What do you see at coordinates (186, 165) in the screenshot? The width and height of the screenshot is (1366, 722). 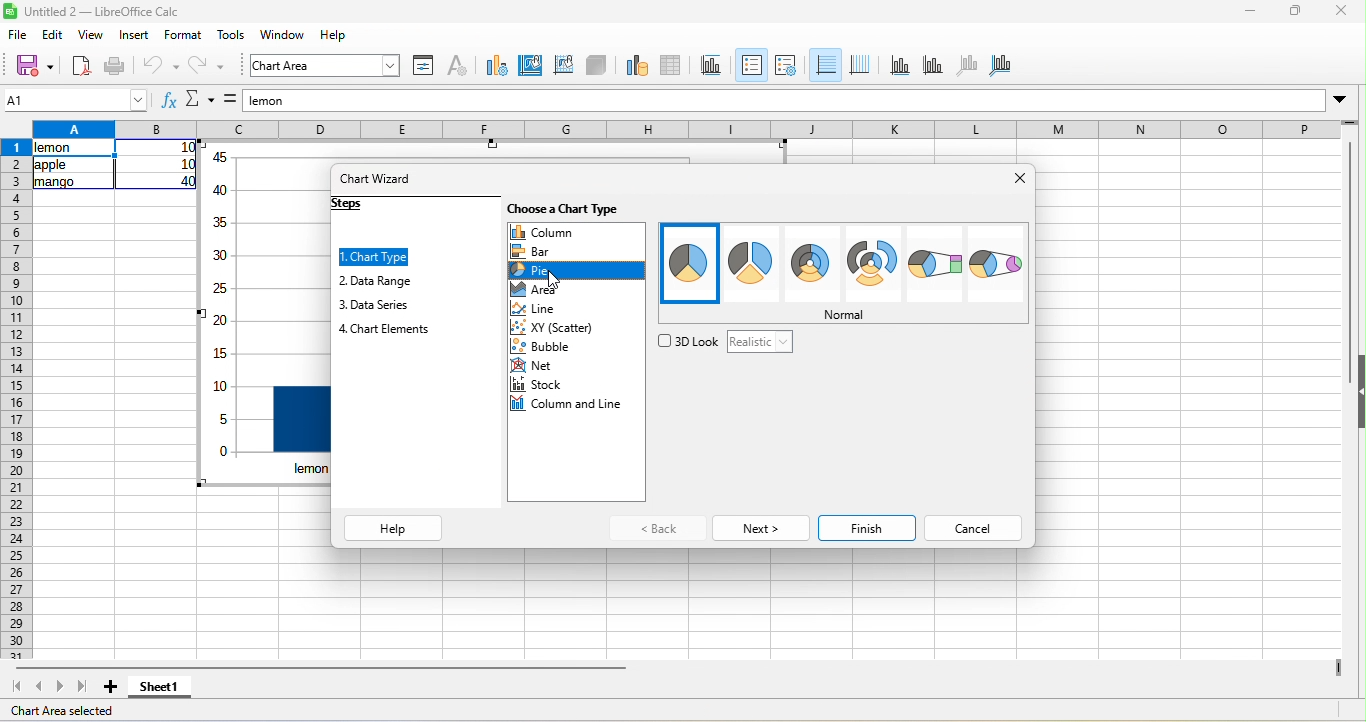 I see `10` at bounding box center [186, 165].